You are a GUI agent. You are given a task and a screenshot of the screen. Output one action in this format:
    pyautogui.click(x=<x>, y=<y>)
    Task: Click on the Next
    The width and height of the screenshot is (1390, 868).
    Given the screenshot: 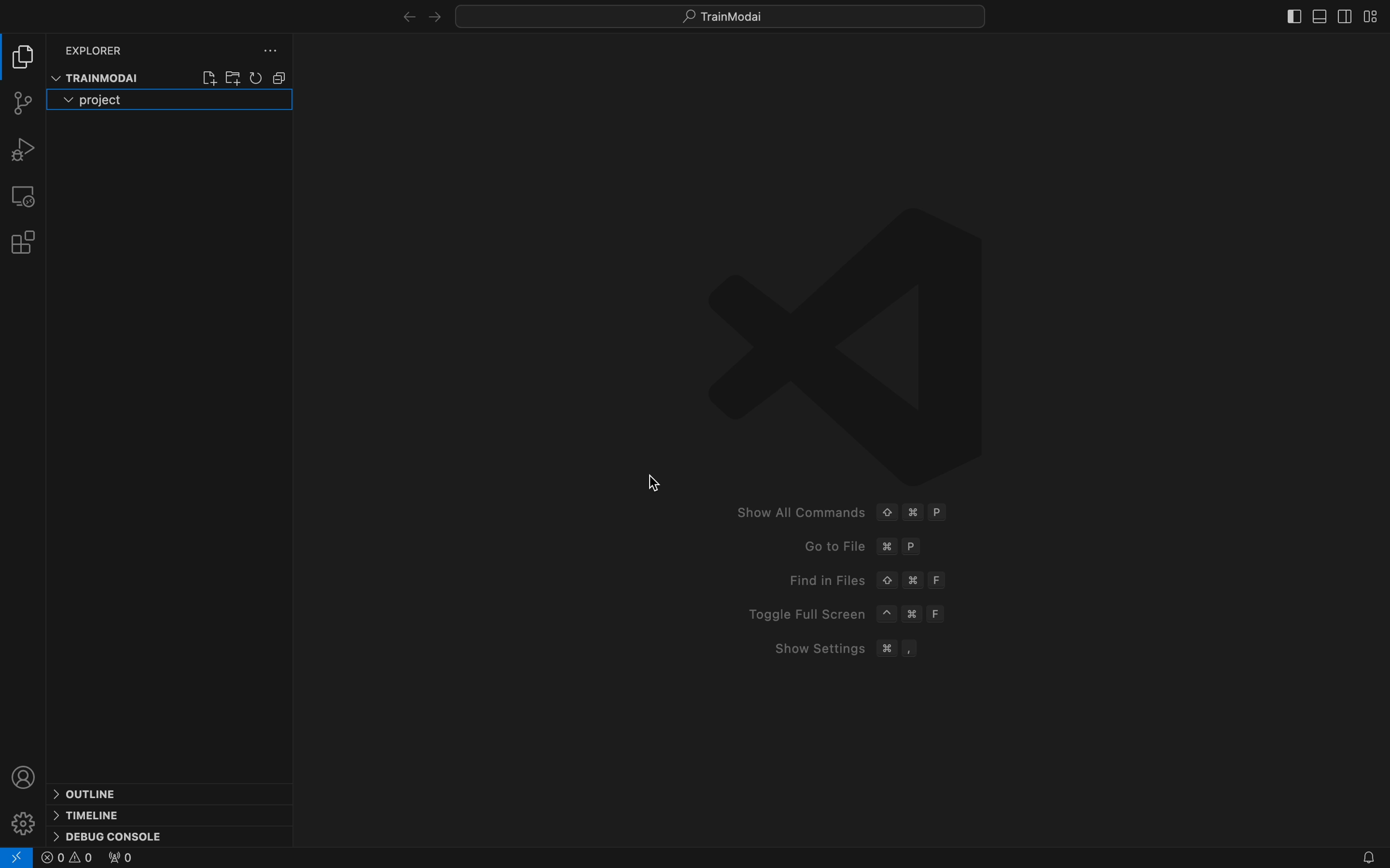 What is the action you would take?
    pyautogui.click(x=434, y=17)
    